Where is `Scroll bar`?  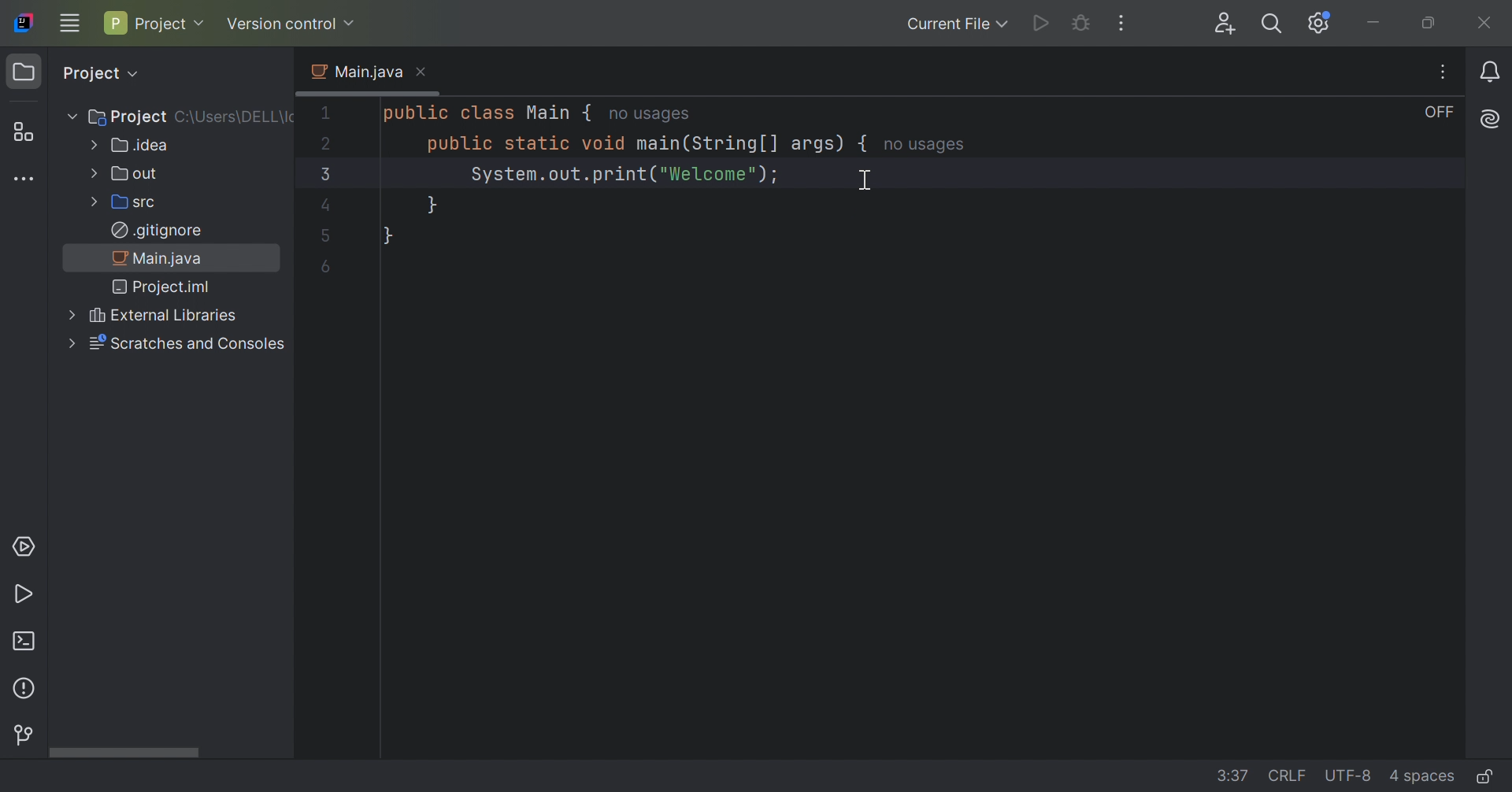 Scroll bar is located at coordinates (123, 752).